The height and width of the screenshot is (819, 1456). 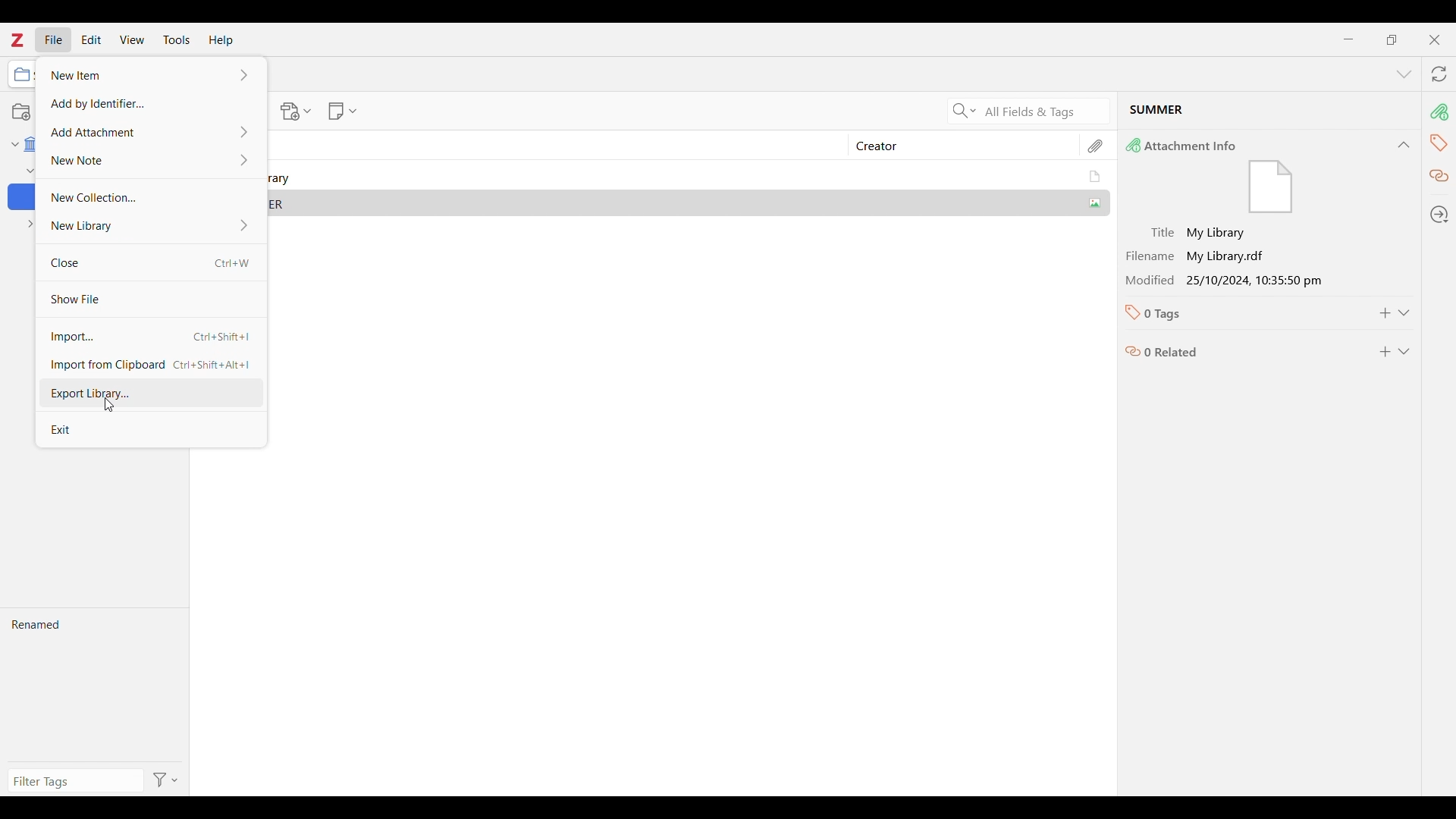 What do you see at coordinates (1404, 145) in the screenshot?
I see `Collapse` at bounding box center [1404, 145].